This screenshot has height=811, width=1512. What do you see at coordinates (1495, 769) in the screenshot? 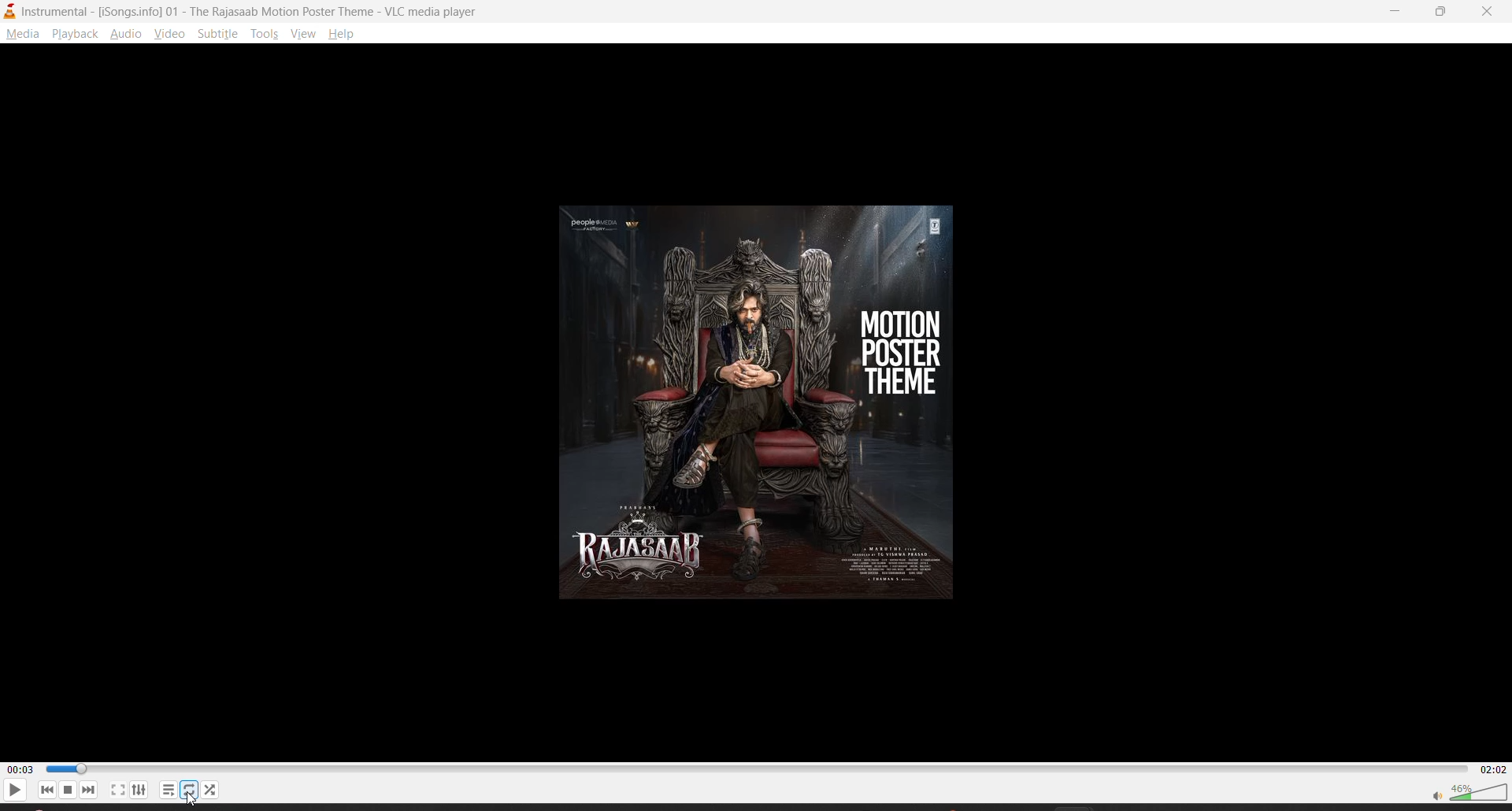
I see `02:02` at bounding box center [1495, 769].